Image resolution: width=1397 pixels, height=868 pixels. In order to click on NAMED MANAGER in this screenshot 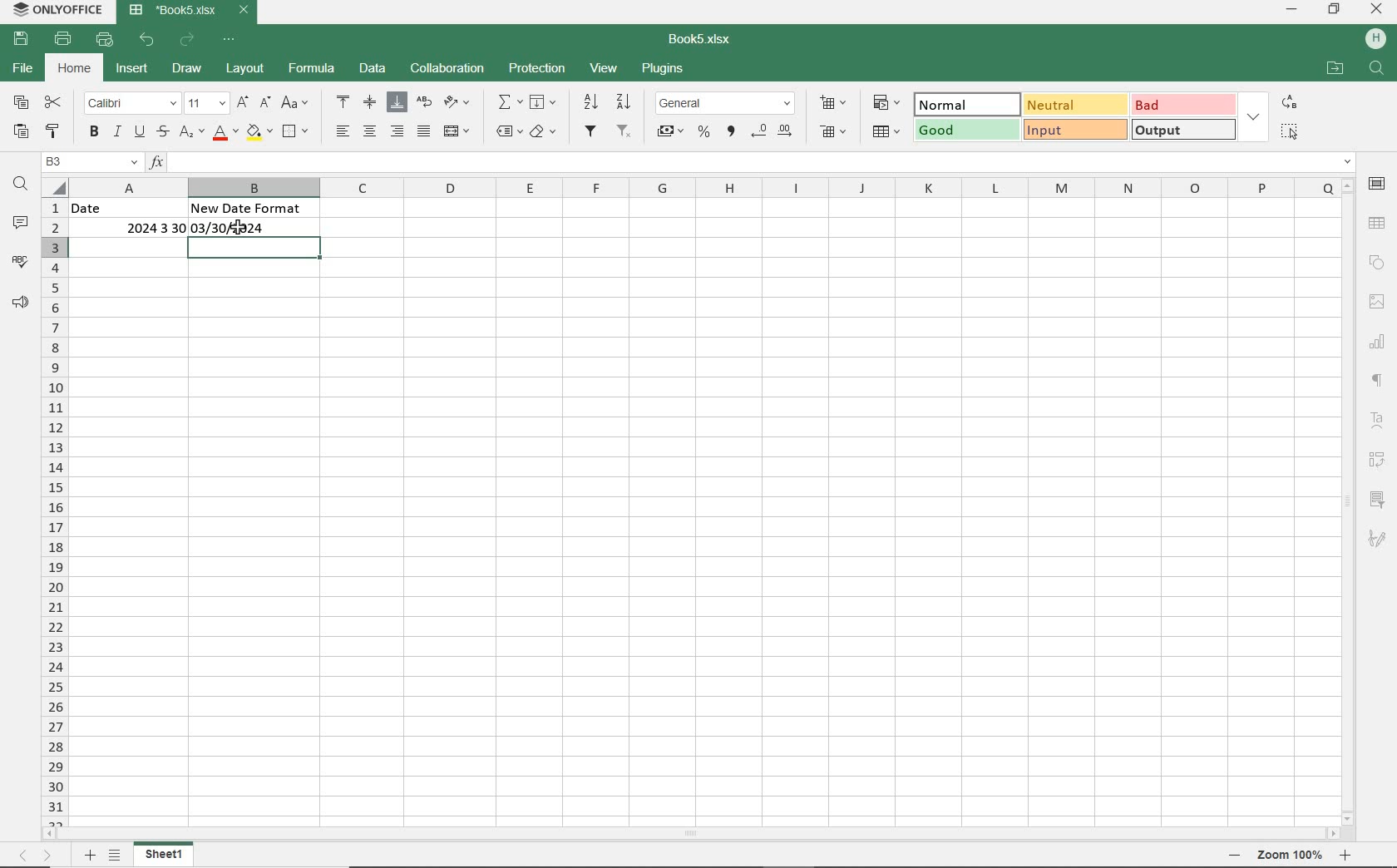, I will do `click(90, 162)`.